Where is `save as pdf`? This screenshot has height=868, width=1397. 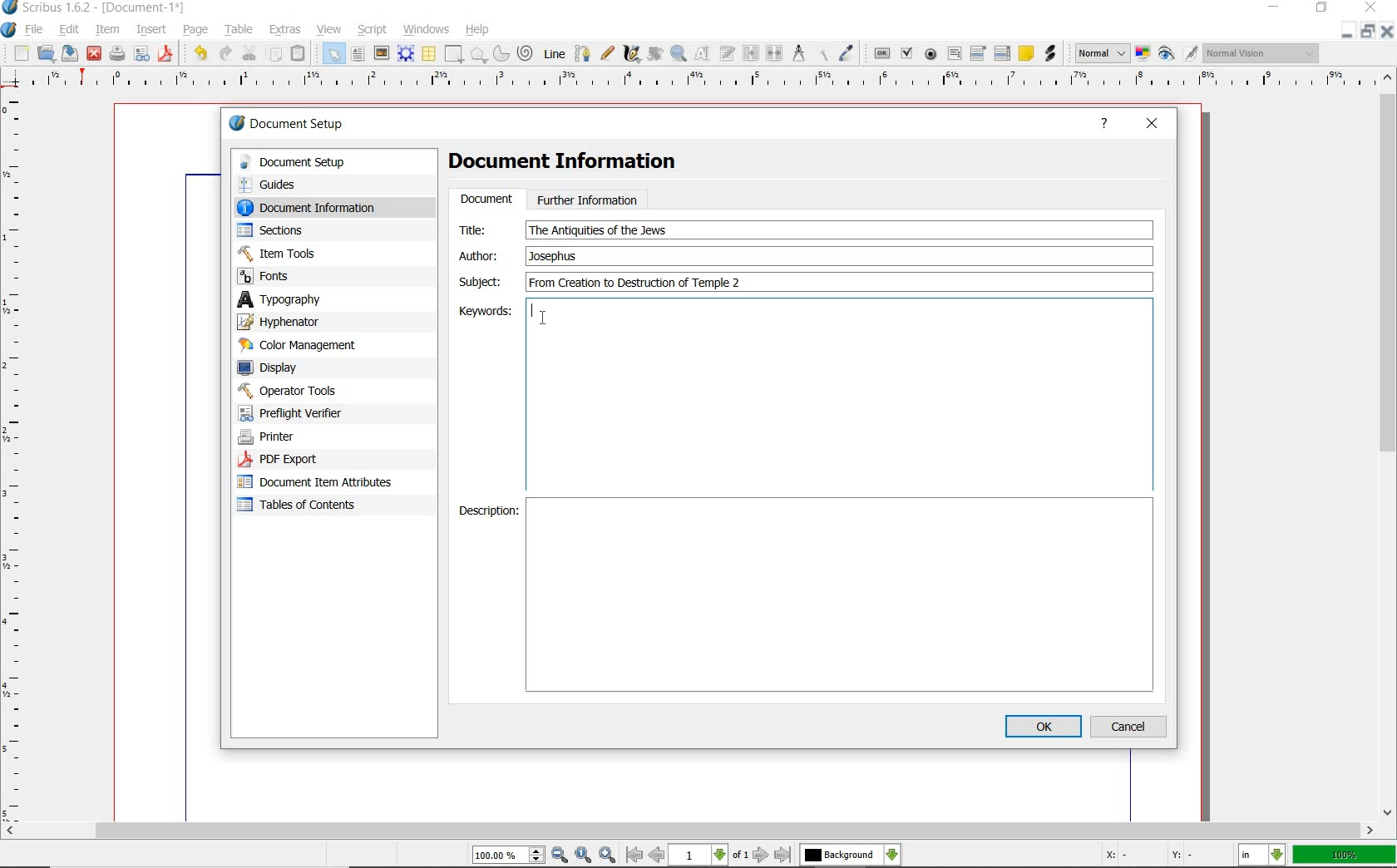 save as pdf is located at coordinates (165, 56).